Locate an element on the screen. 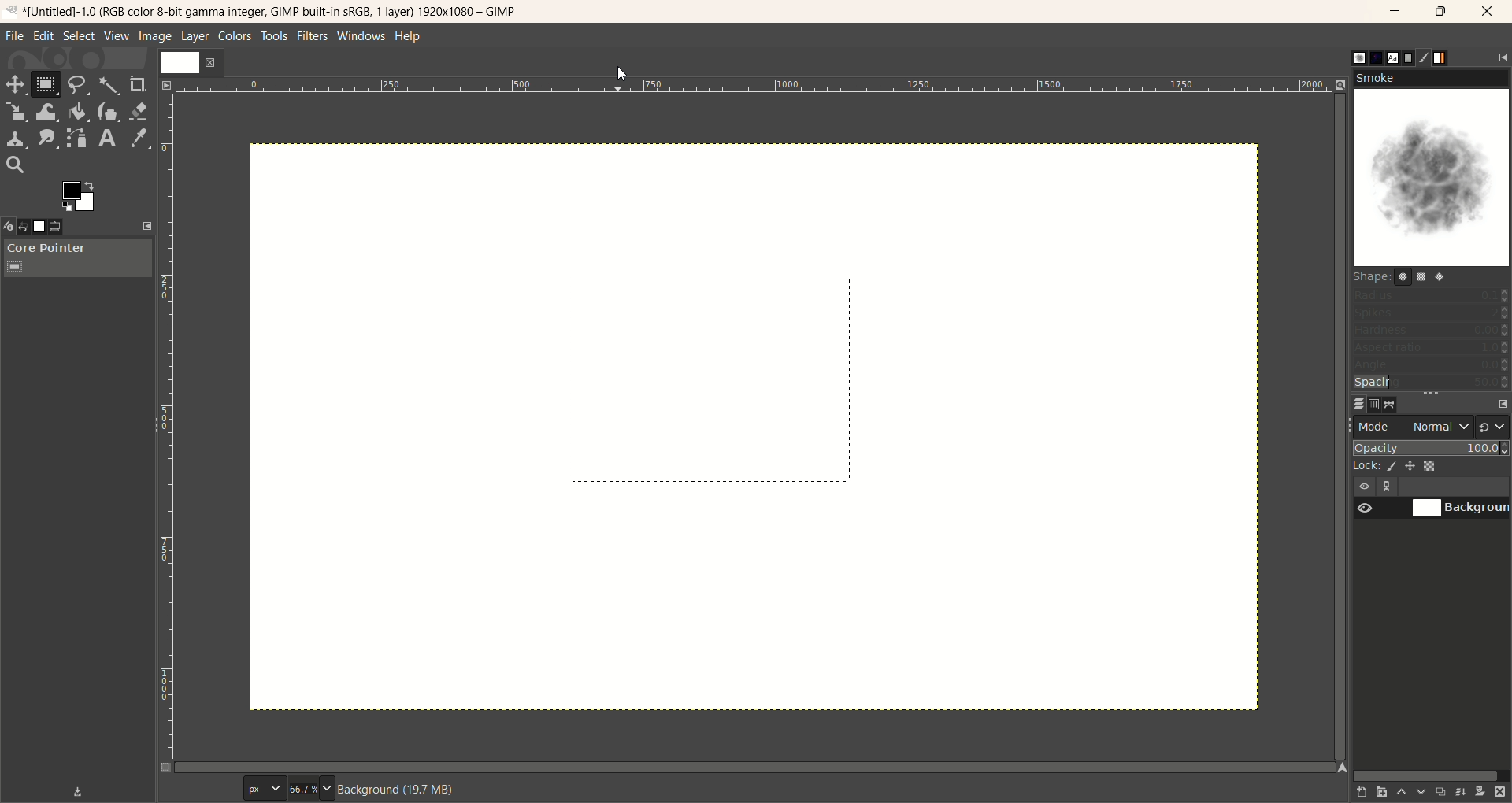  logo is located at coordinates (11, 13).